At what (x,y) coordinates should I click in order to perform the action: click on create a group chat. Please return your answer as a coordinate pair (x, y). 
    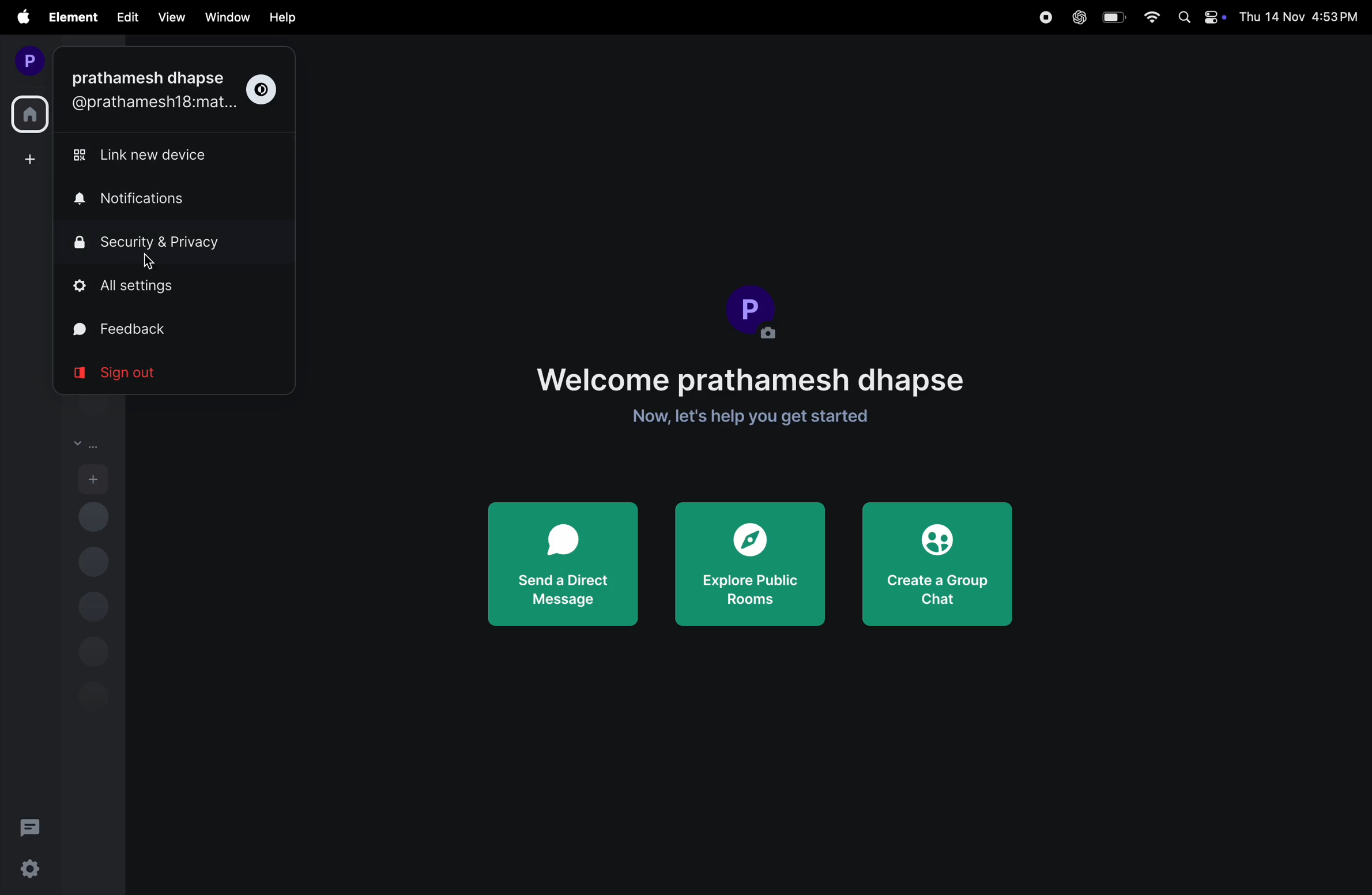
    Looking at the image, I should click on (935, 562).